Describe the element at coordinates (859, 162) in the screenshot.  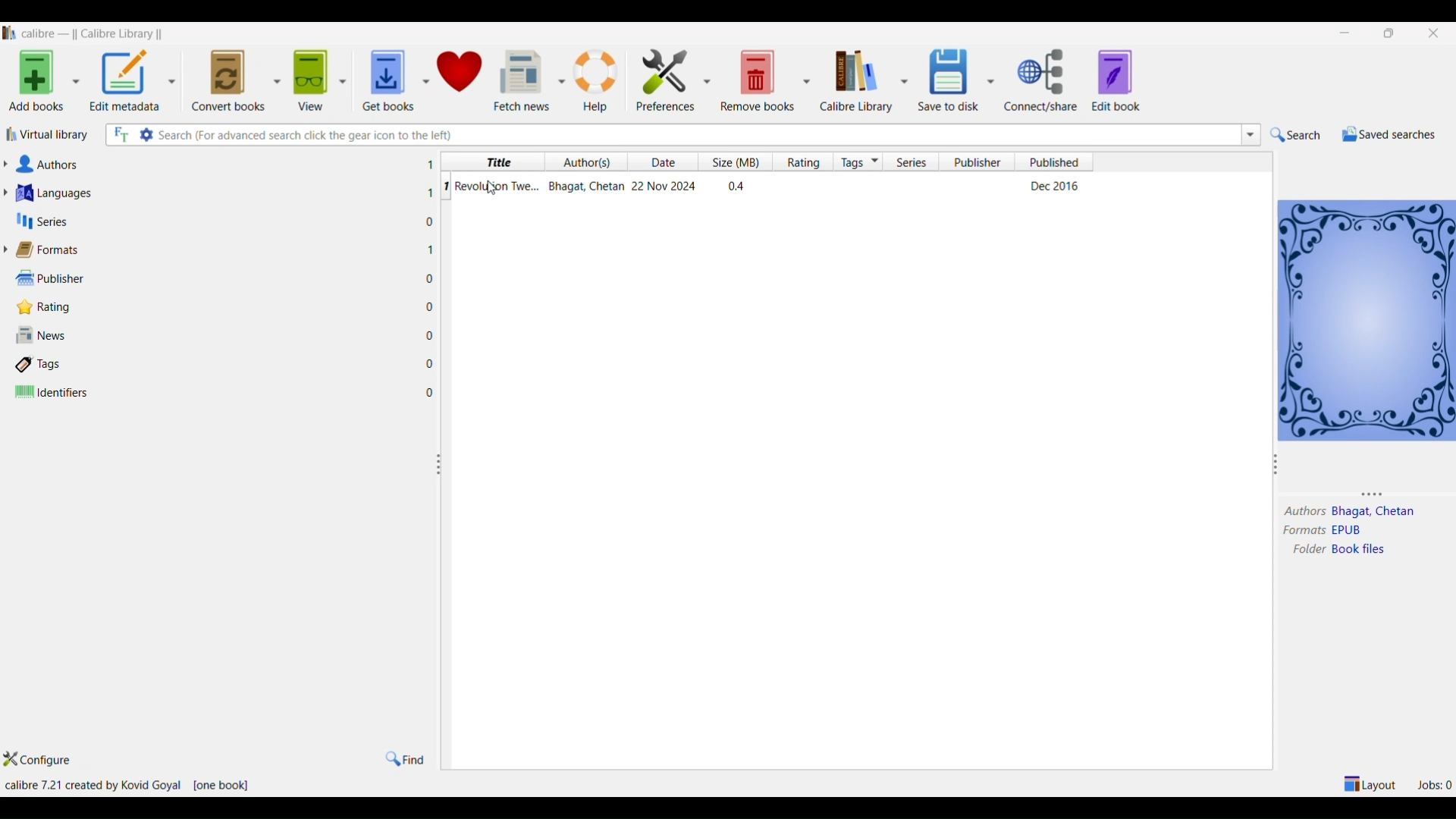
I see `tags` at that location.